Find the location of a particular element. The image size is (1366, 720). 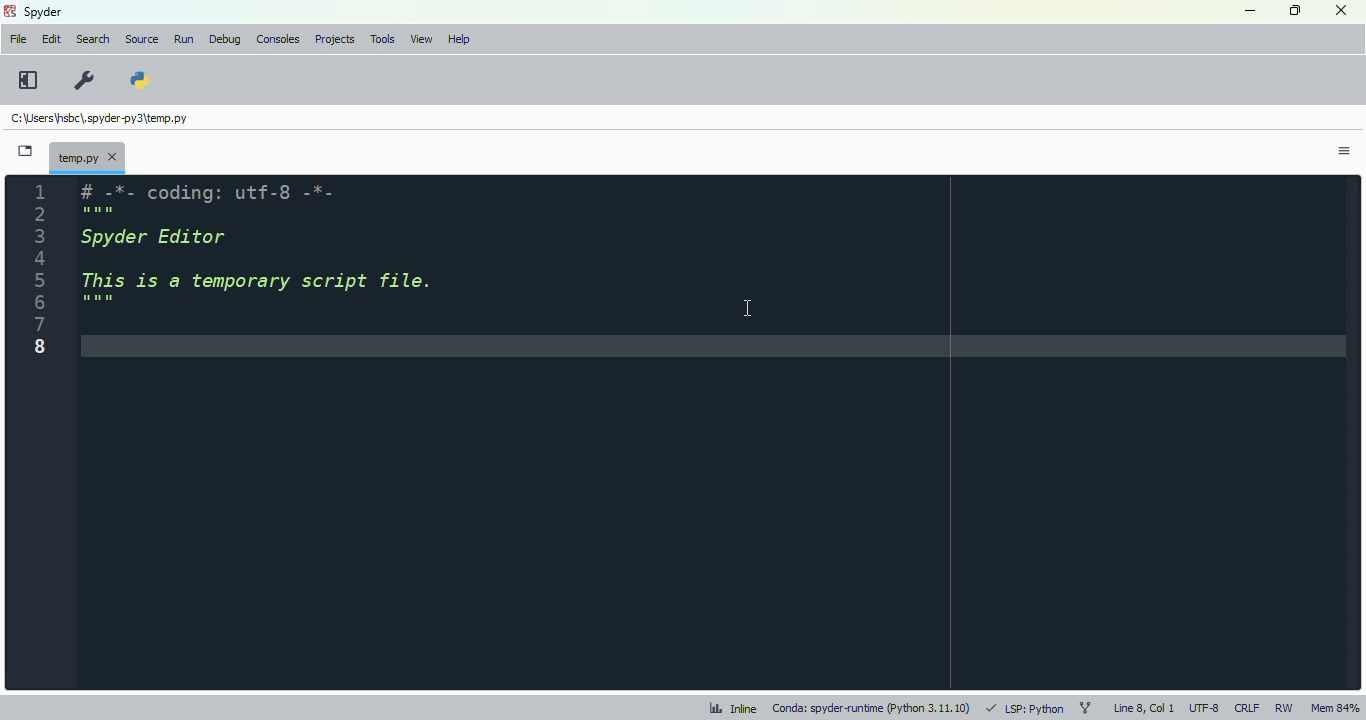

editor is located at coordinates (721, 431).